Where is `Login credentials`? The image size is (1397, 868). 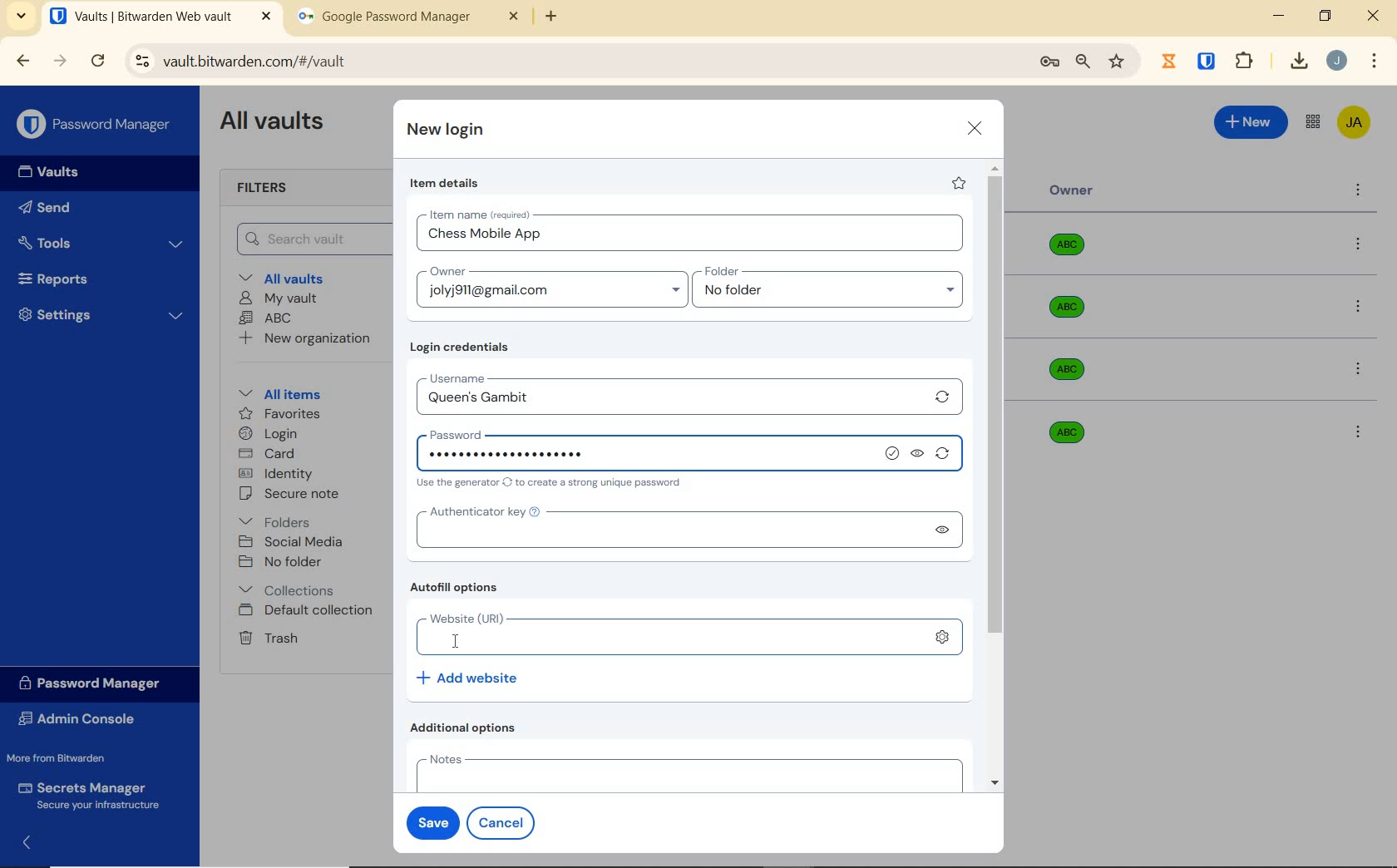
Login credentials is located at coordinates (463, 348).